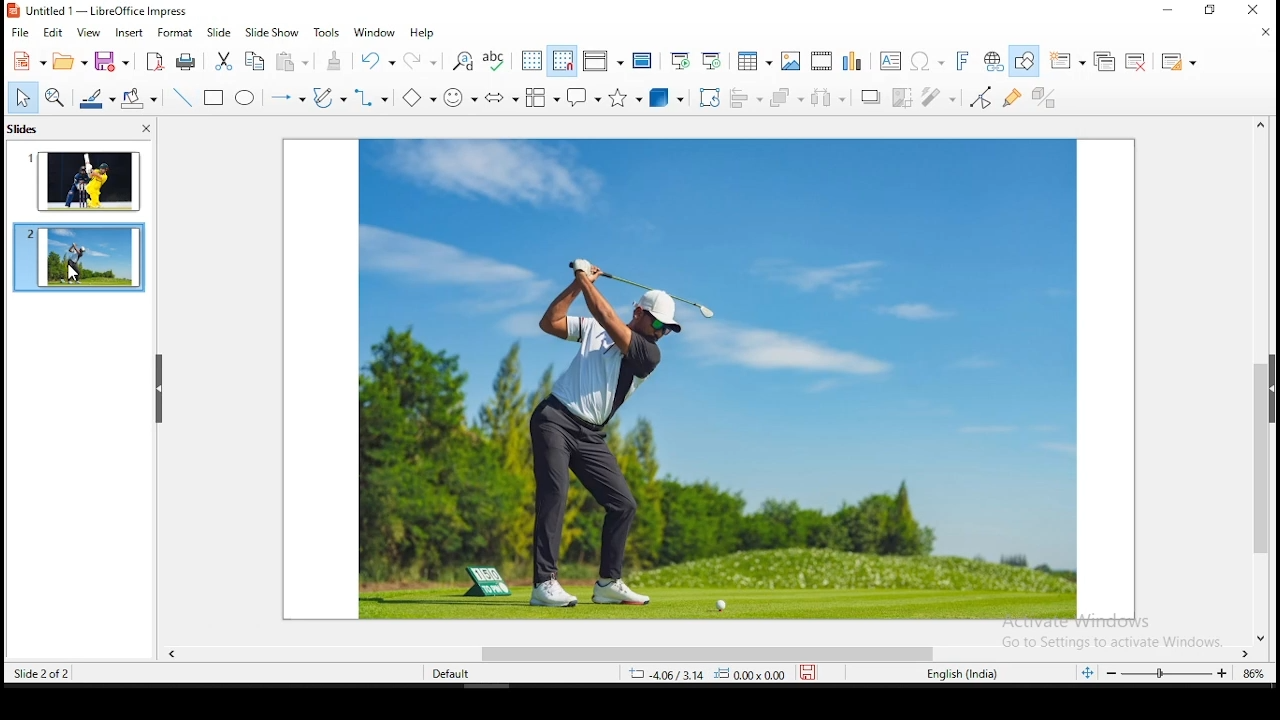  Describe the element at coordinates (136, 98) in the screenshot. I see `fill color` at that location.